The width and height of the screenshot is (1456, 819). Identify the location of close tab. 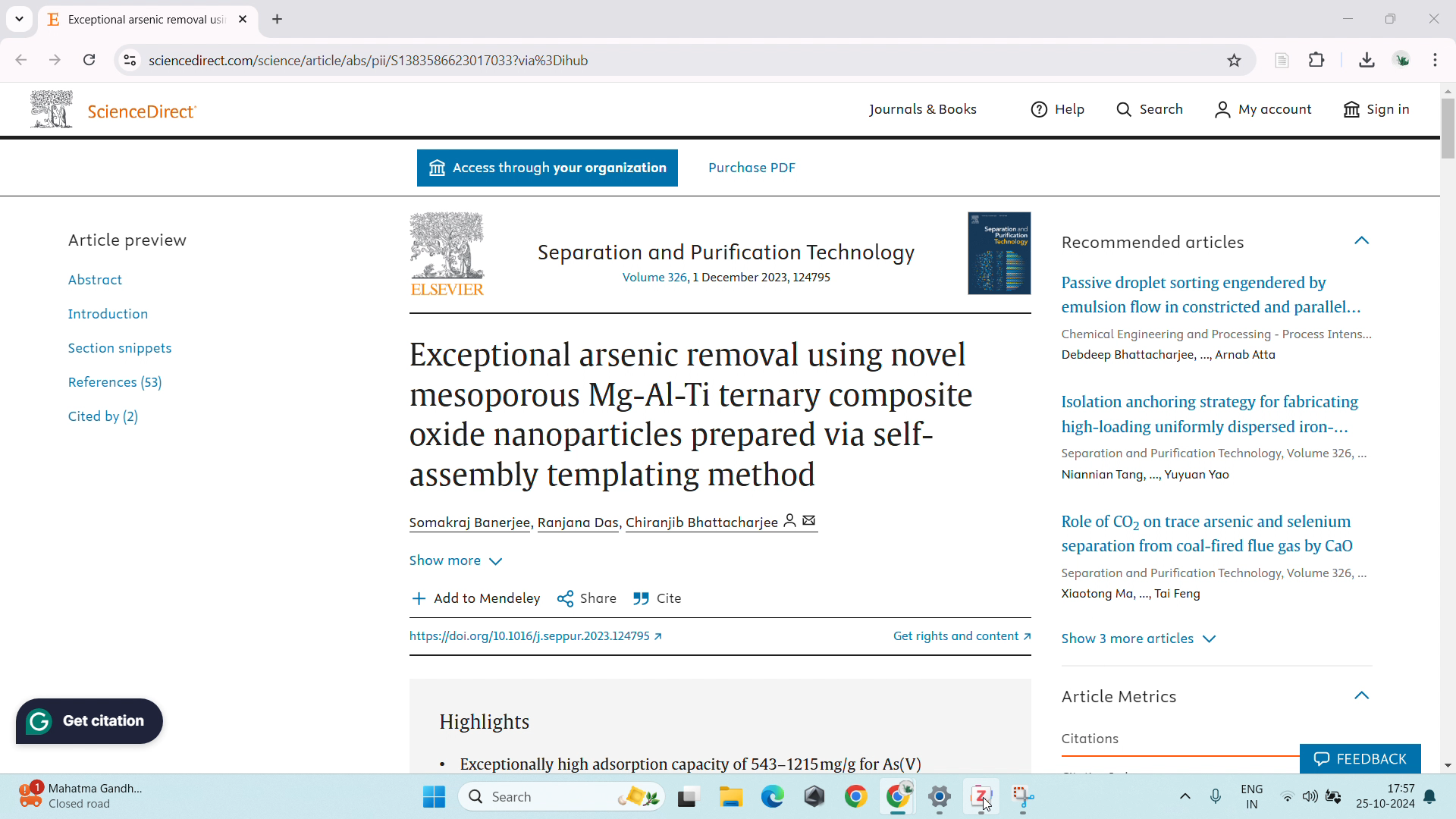
(245, 20).